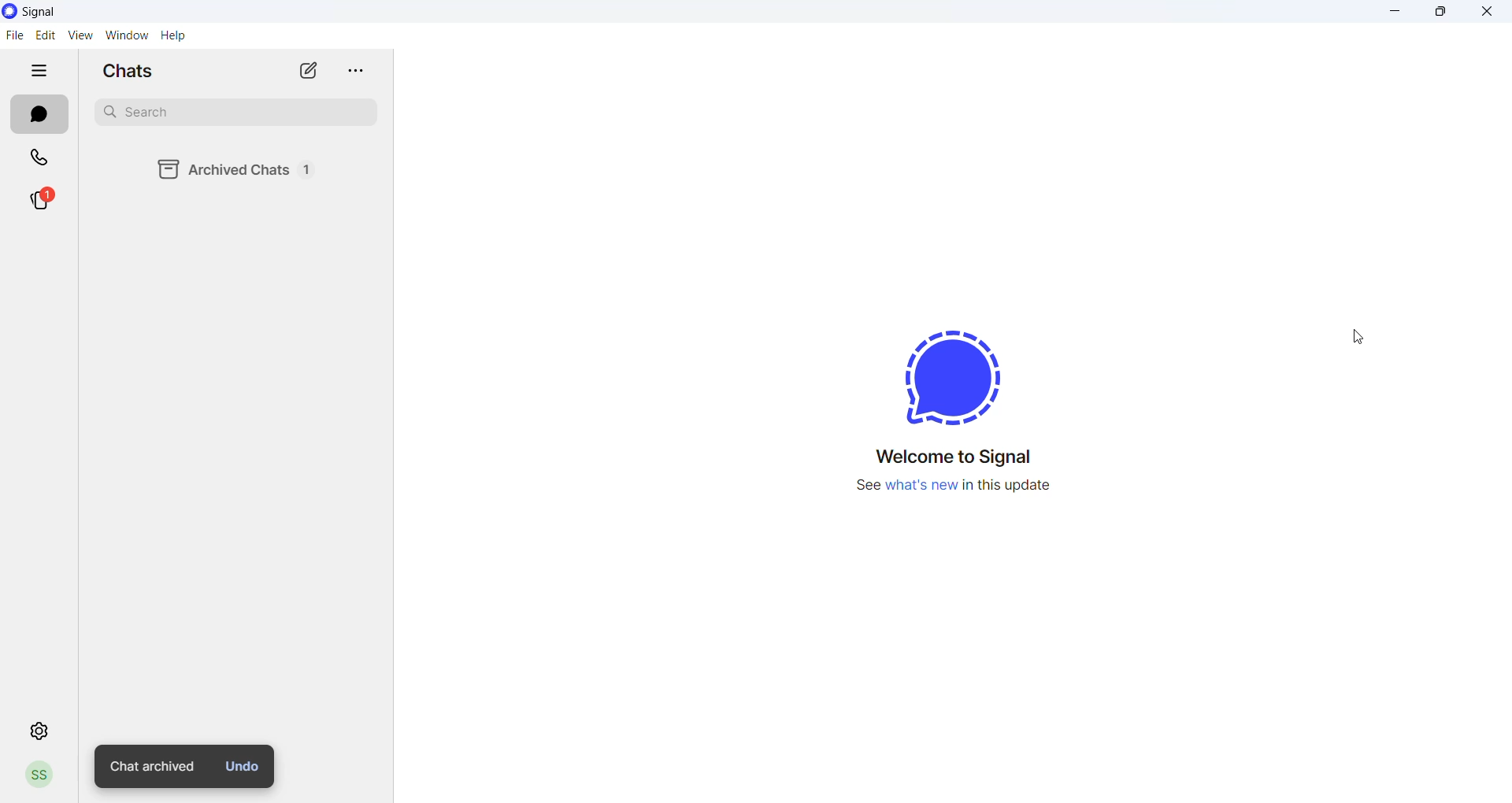  Describe the element at coordinates (231, 114) in the screenshot. I see `search chats` at that location.